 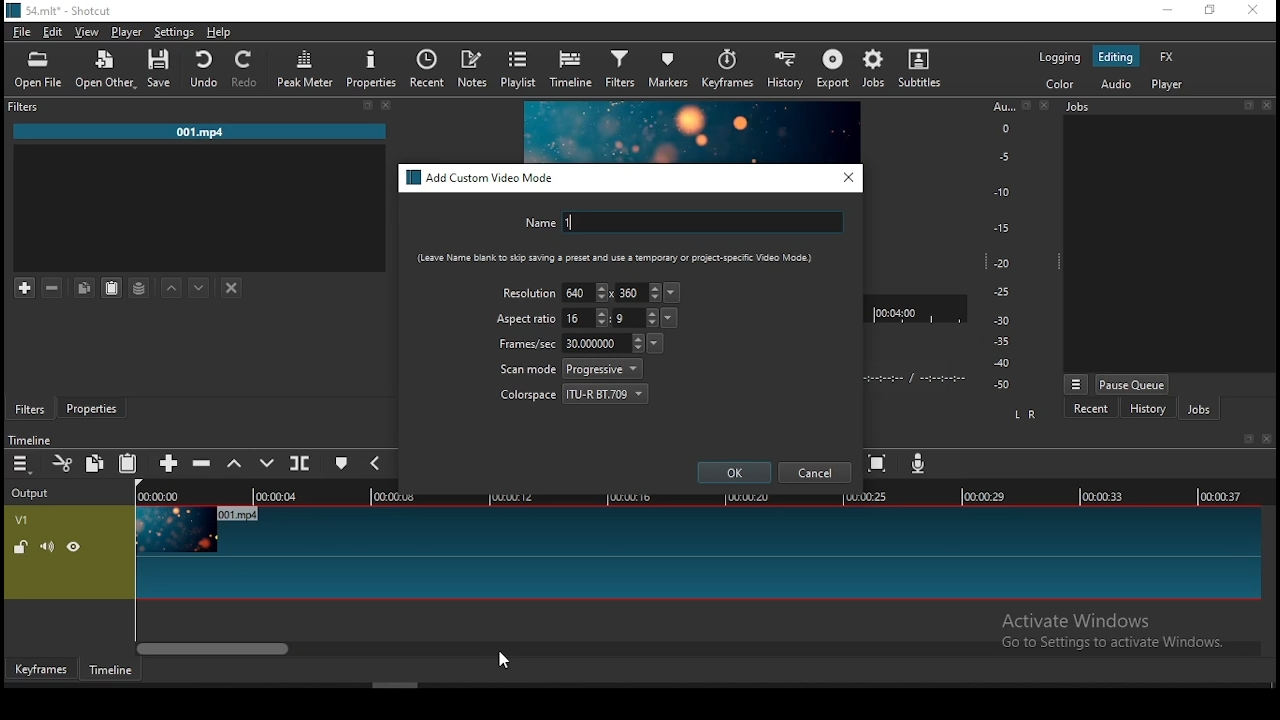 What do you see at coordinates (139, 285) in the screenshot?
I see `save filter set` at bounding box center [139, 285].